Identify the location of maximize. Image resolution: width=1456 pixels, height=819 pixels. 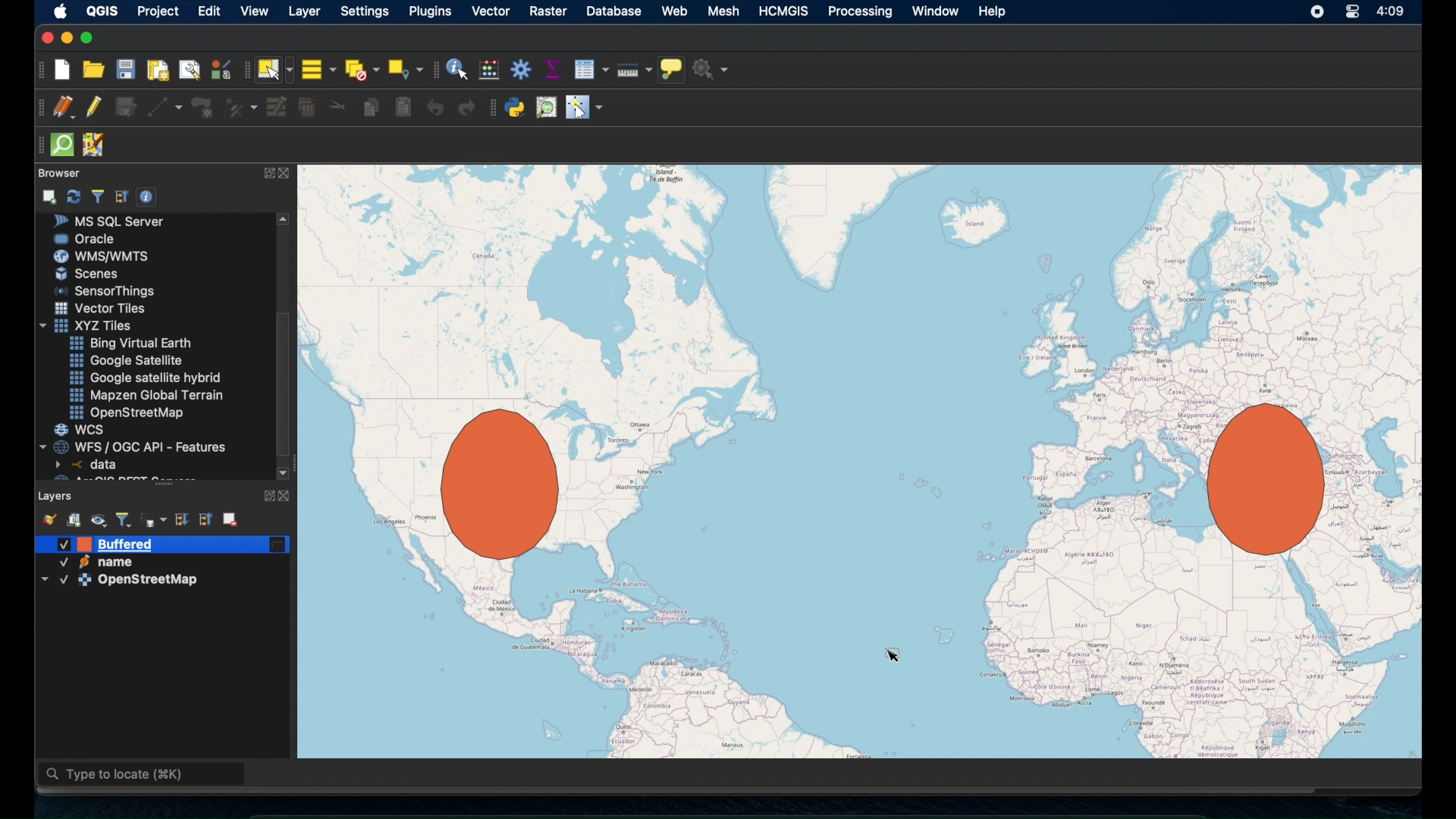
(90, 38).